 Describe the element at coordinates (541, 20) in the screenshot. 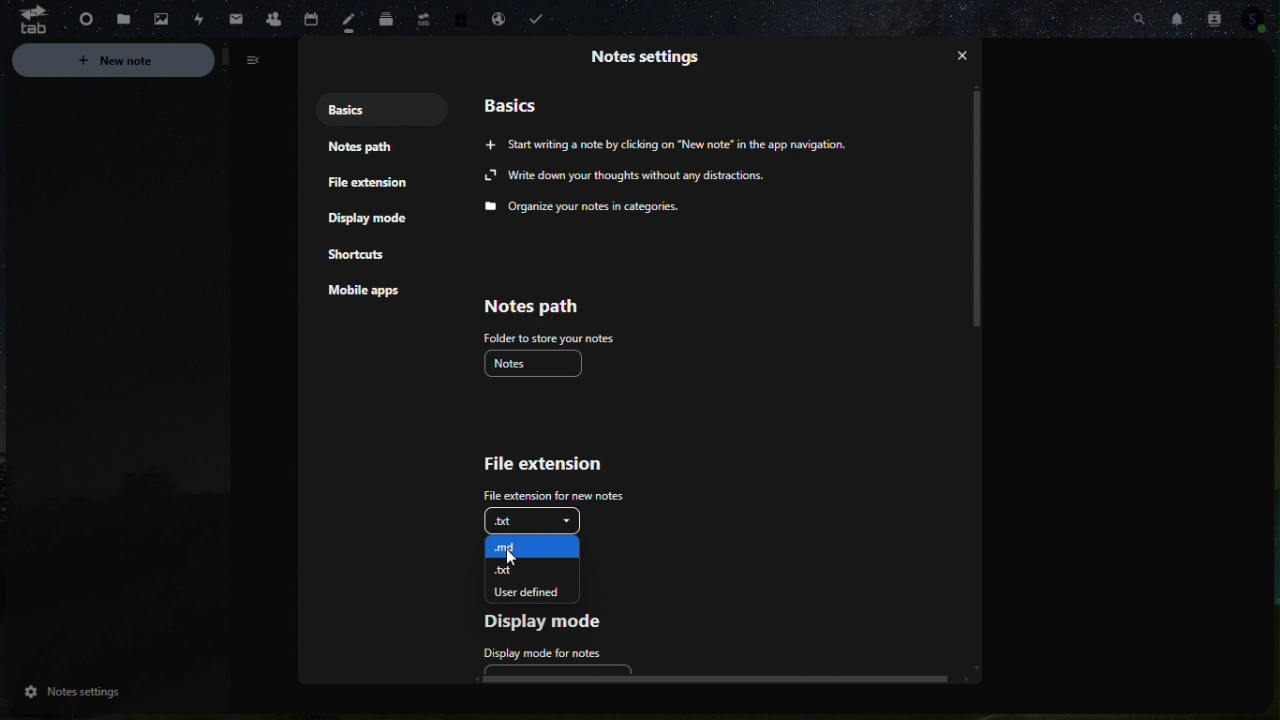

I see `task` at that location.